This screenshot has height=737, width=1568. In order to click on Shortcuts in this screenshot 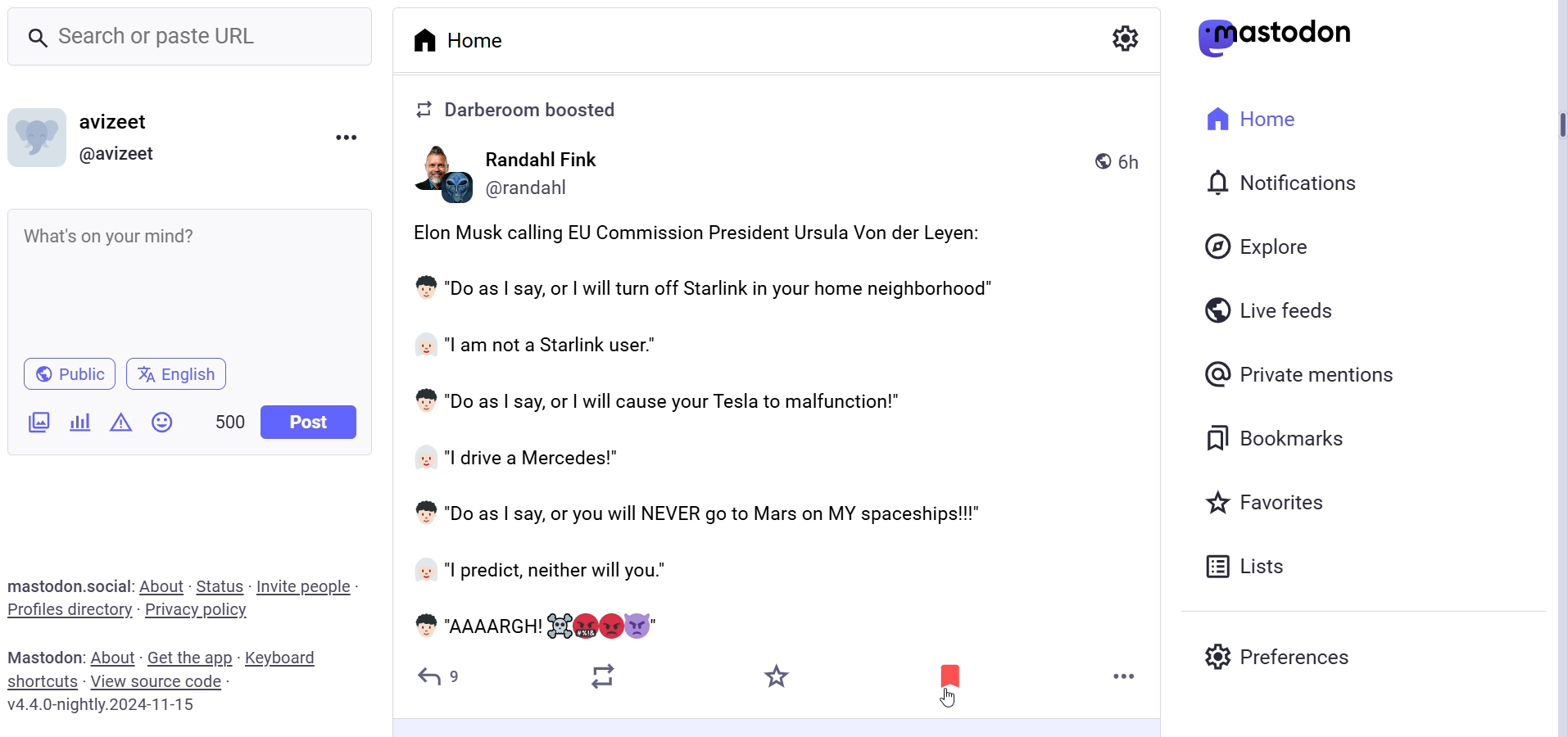, I will do `click(43, 680)`.